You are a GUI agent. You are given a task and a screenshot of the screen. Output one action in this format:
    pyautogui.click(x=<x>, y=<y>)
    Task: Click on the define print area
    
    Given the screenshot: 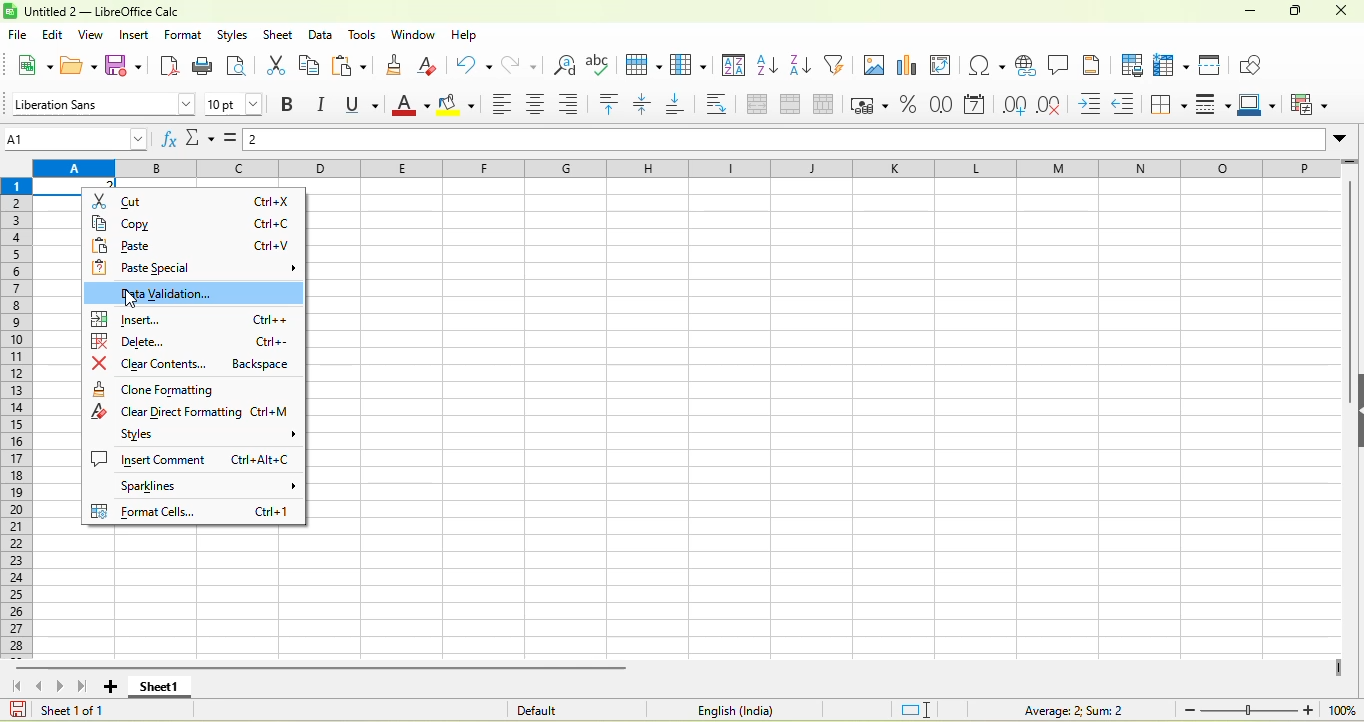 What is the action you would take?
    pyautogui.click(x=1131, y=65)
    